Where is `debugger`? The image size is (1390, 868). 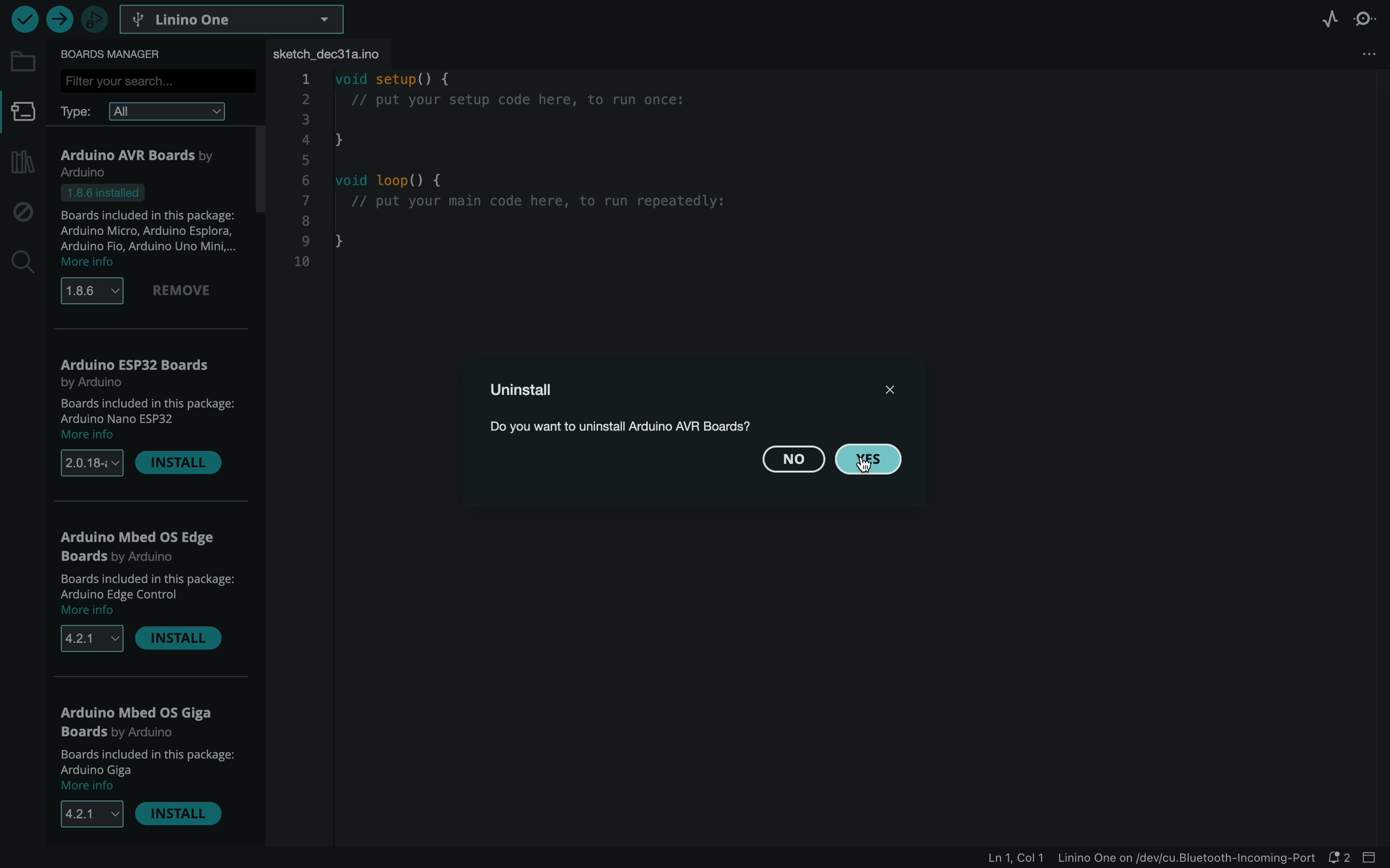
debugger is located at coordinates (95, 21).